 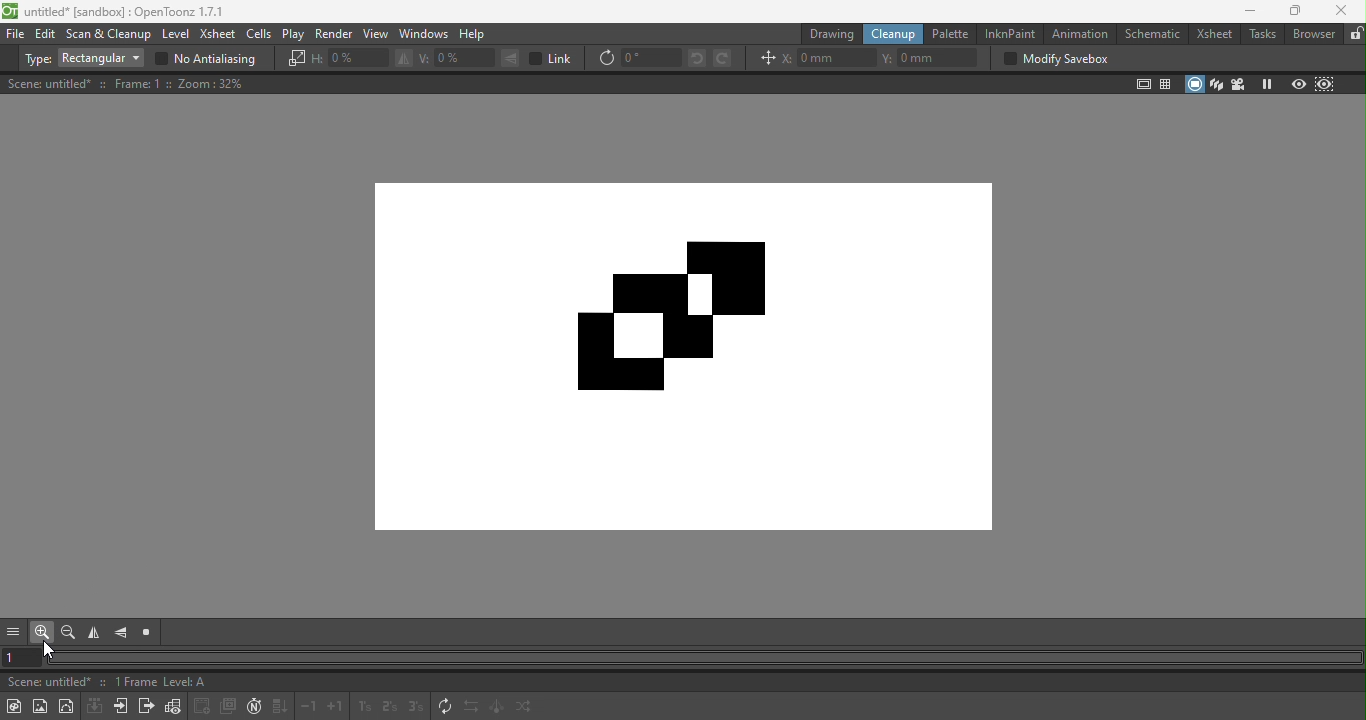 I want to click on Level, so click(x=176, y=35).